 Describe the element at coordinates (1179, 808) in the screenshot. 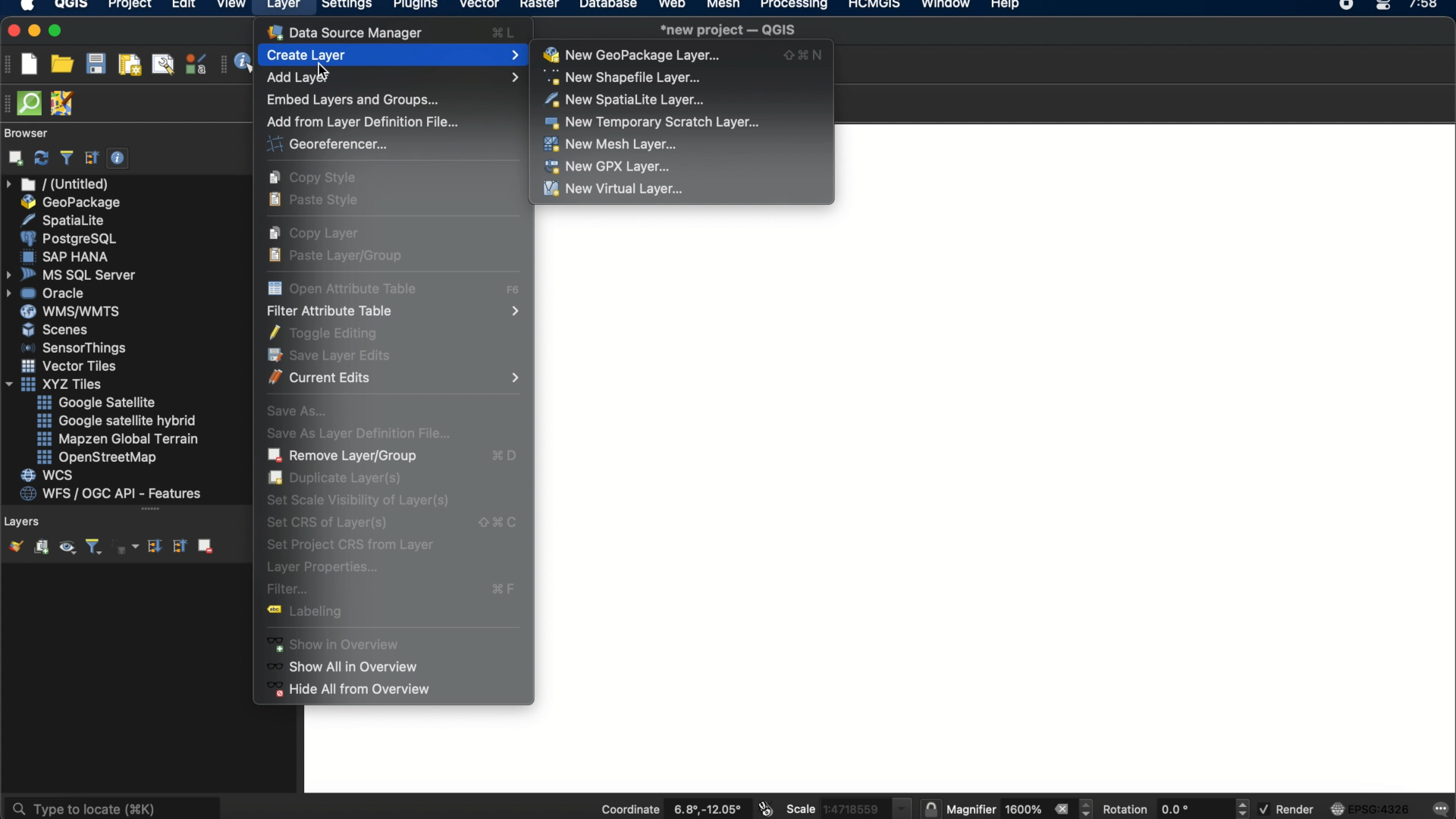

I see `rotation 0.0` at that location.